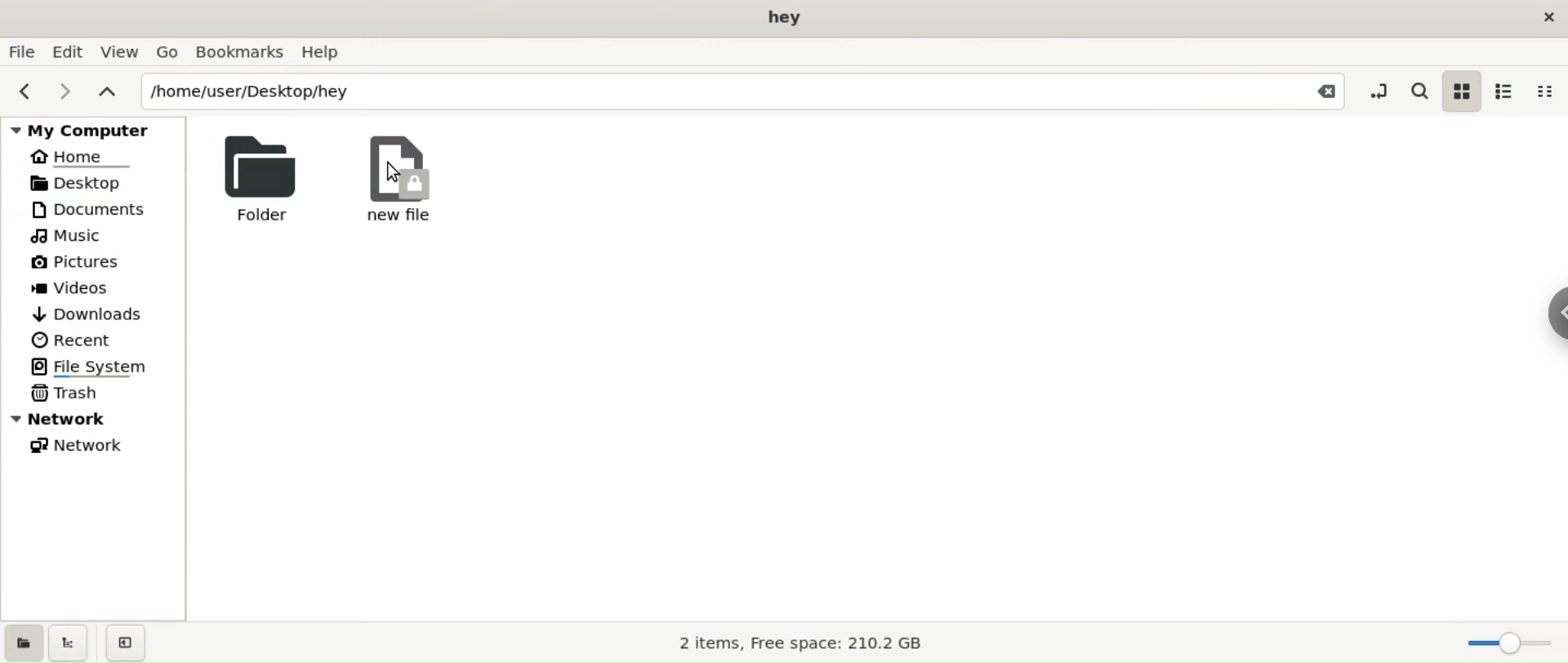  I want to click on Downloads, so click(87, 314).